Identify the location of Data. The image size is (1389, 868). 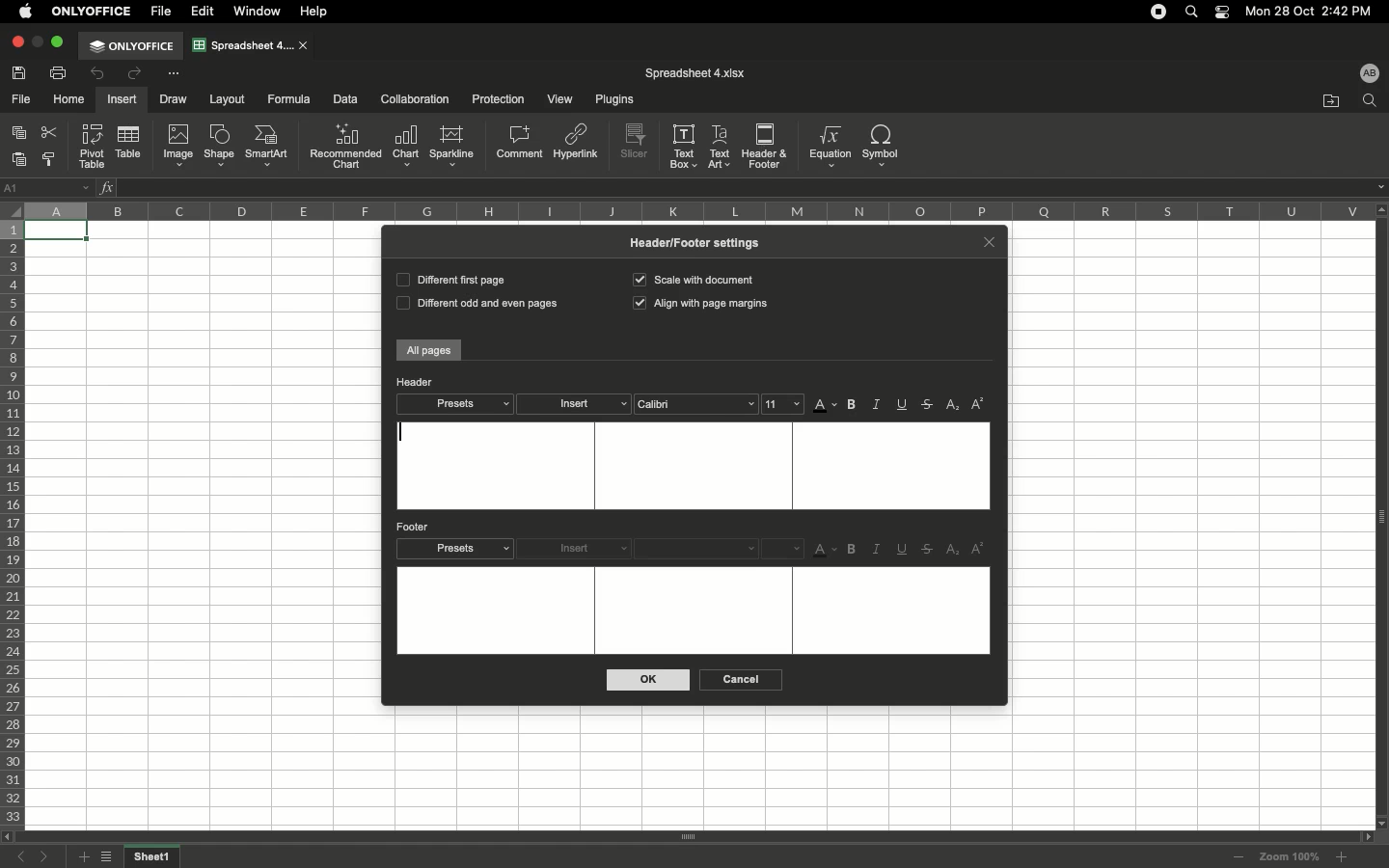
(345, 98).